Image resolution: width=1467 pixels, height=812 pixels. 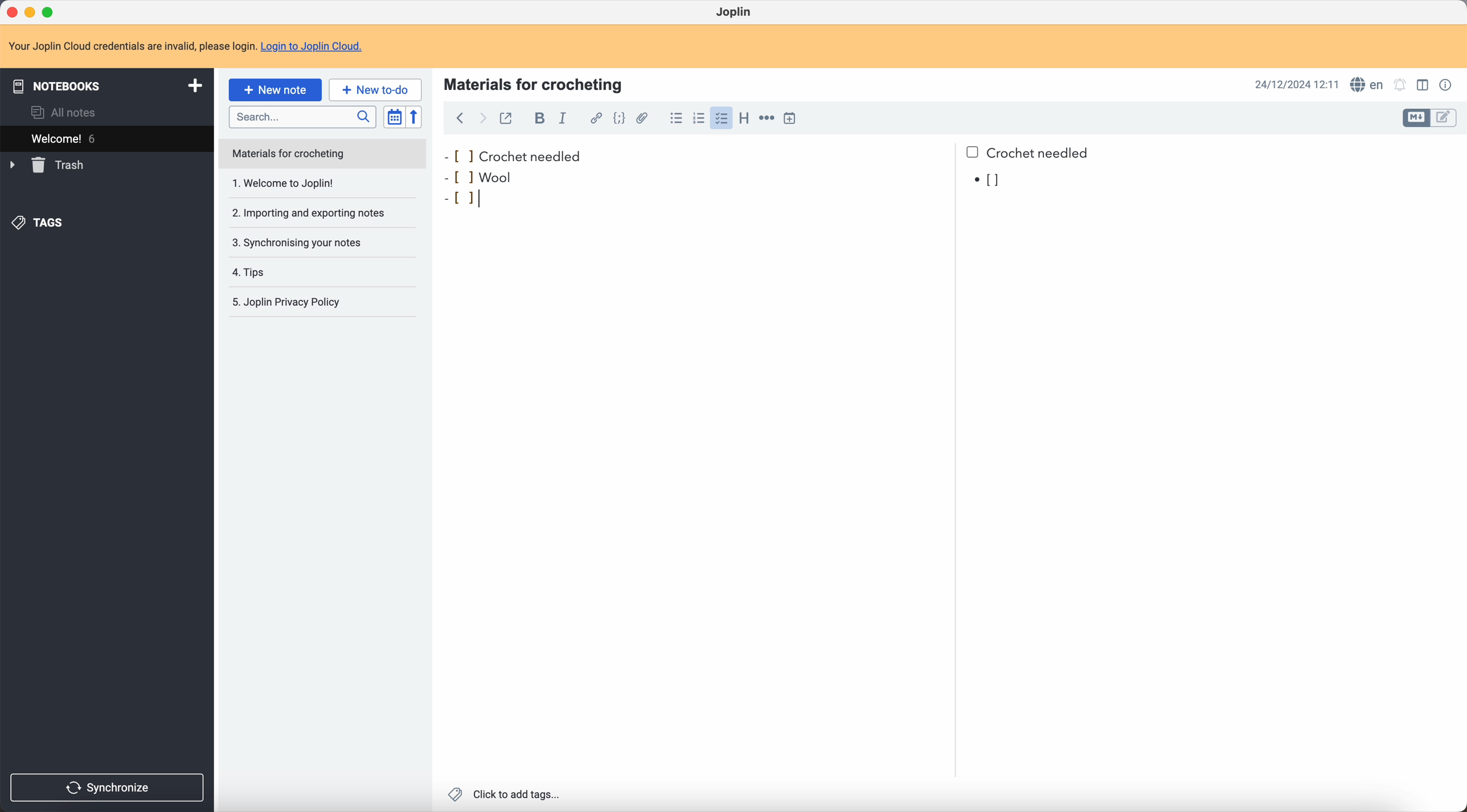 I want to click on crochet needled, so click(x=769, y=151).